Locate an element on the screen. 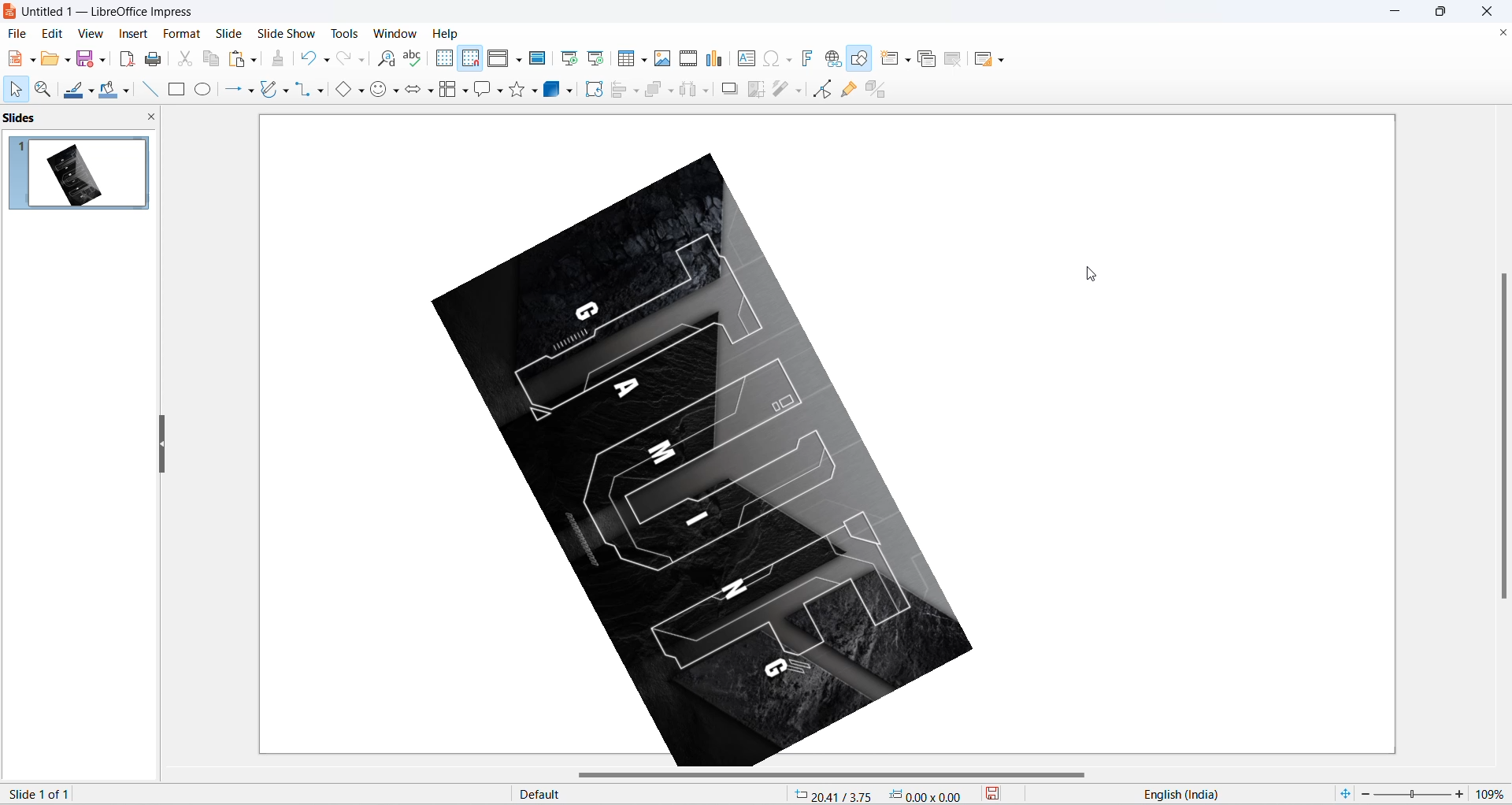 Image resolution: width=1512 pixels, height=805 pixels. special character icons is located at coordinates (787, 58).